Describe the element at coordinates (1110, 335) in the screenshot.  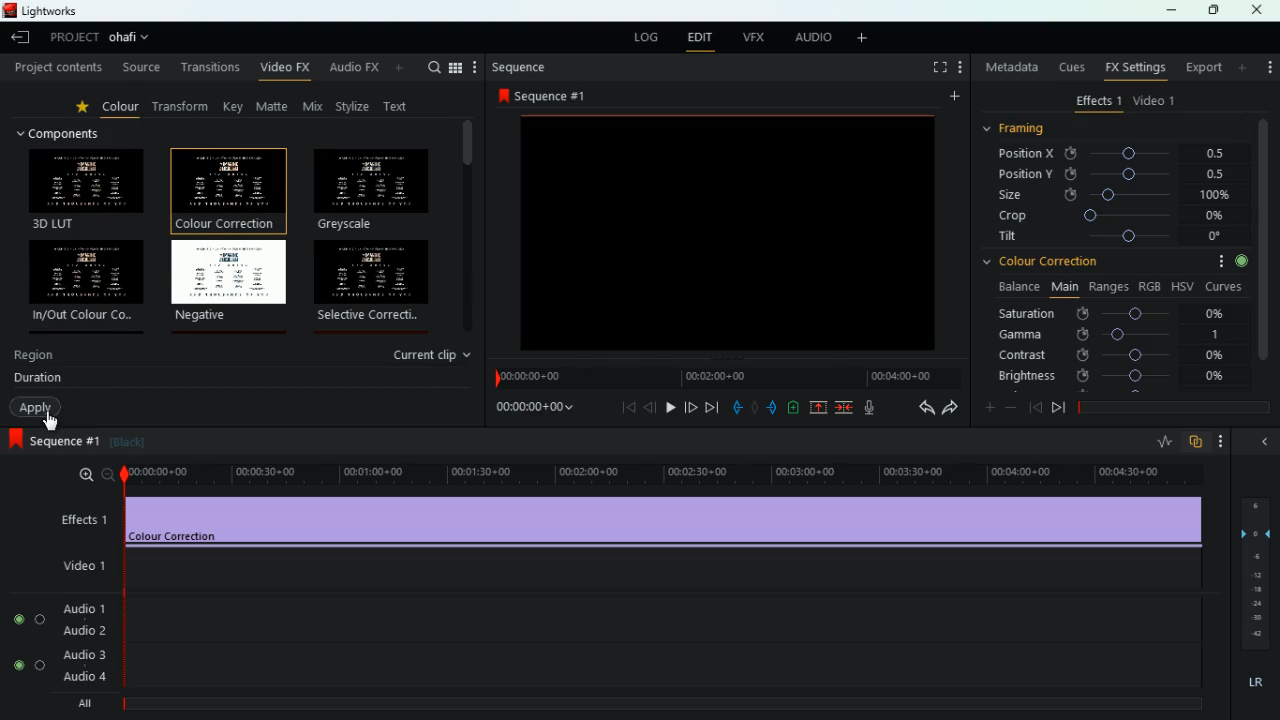
I see `gamma` at that location.